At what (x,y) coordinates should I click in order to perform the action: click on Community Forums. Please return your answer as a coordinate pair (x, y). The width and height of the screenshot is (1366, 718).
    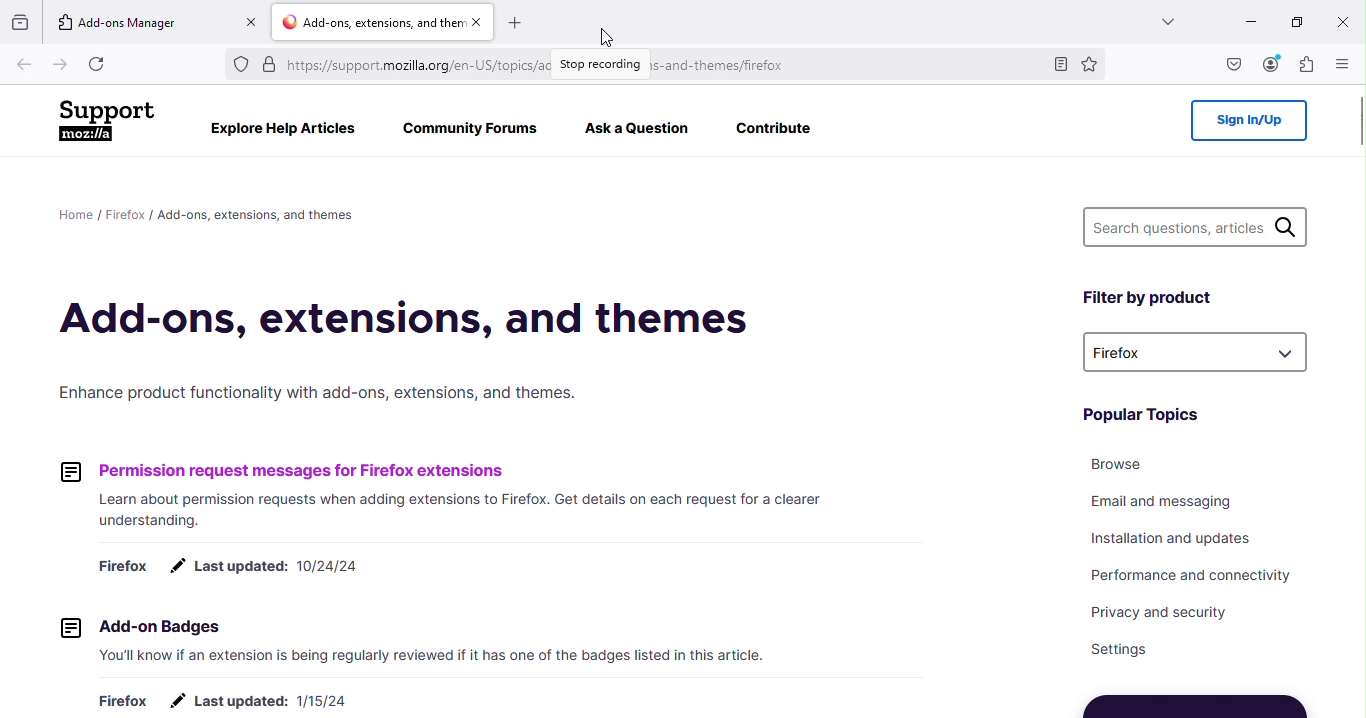
    Looking at the image, I should click on (464, 130).